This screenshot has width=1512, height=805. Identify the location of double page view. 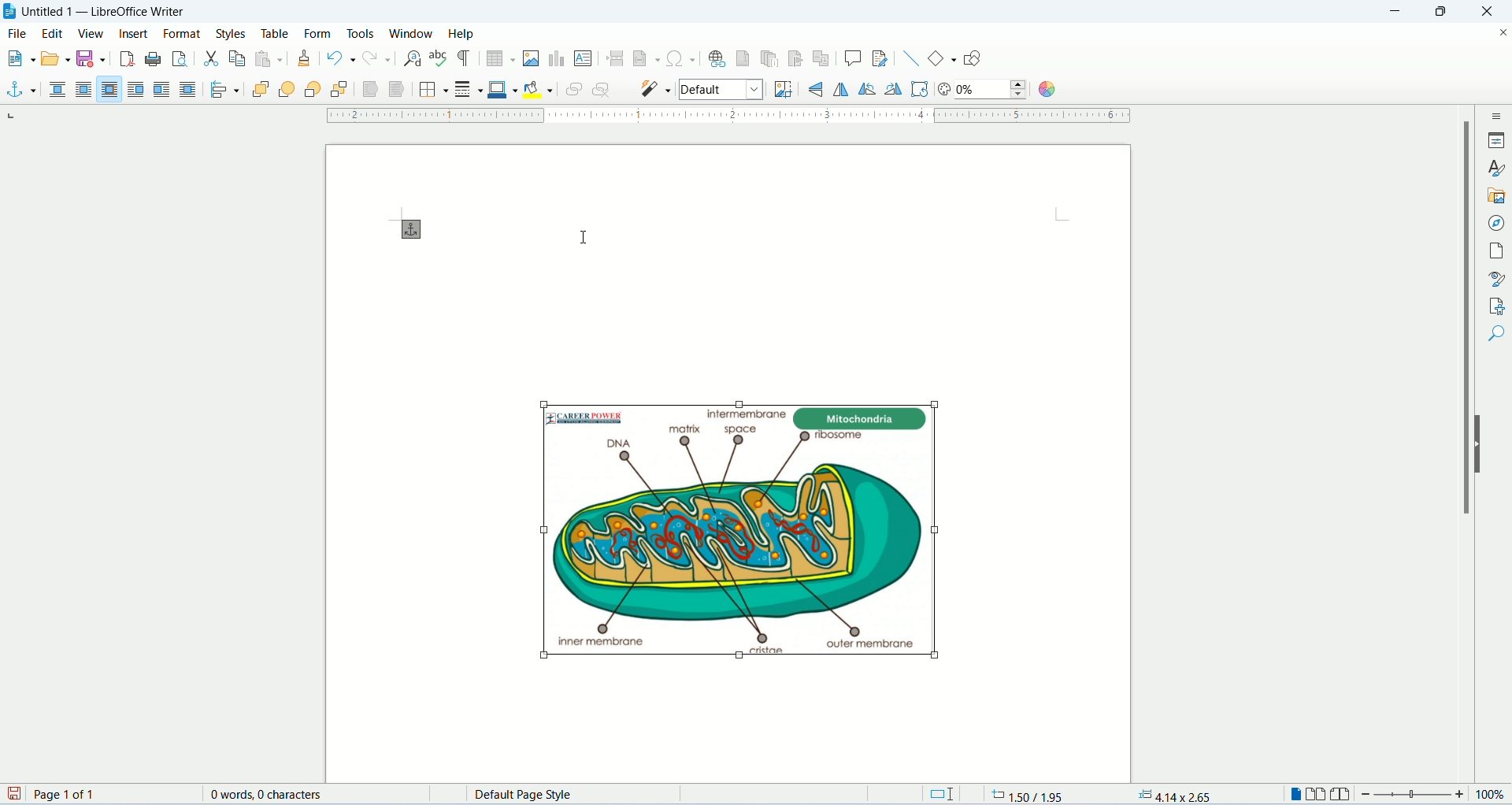
(1317, 796).